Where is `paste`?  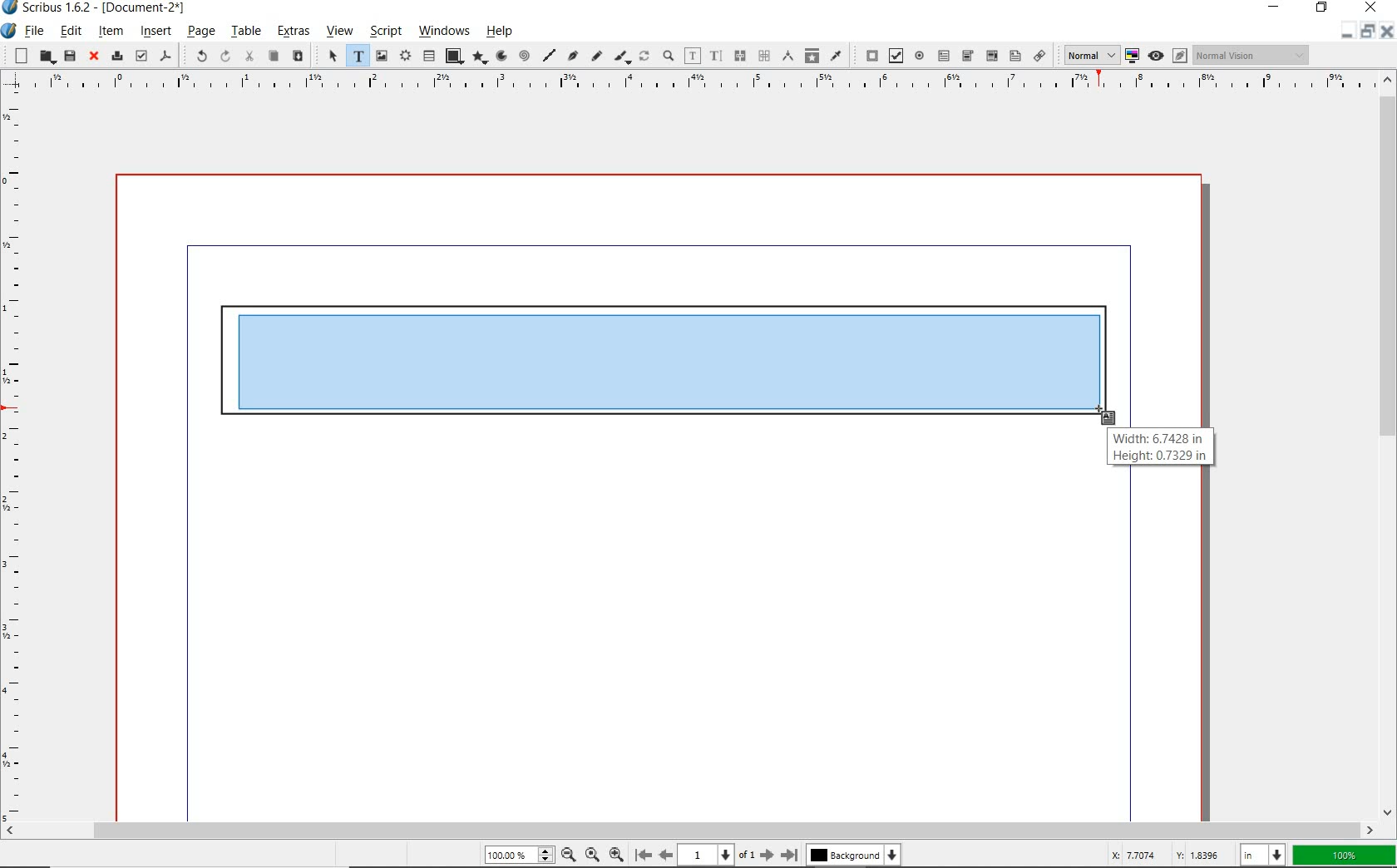 paste is located at coordinates (298, 56).